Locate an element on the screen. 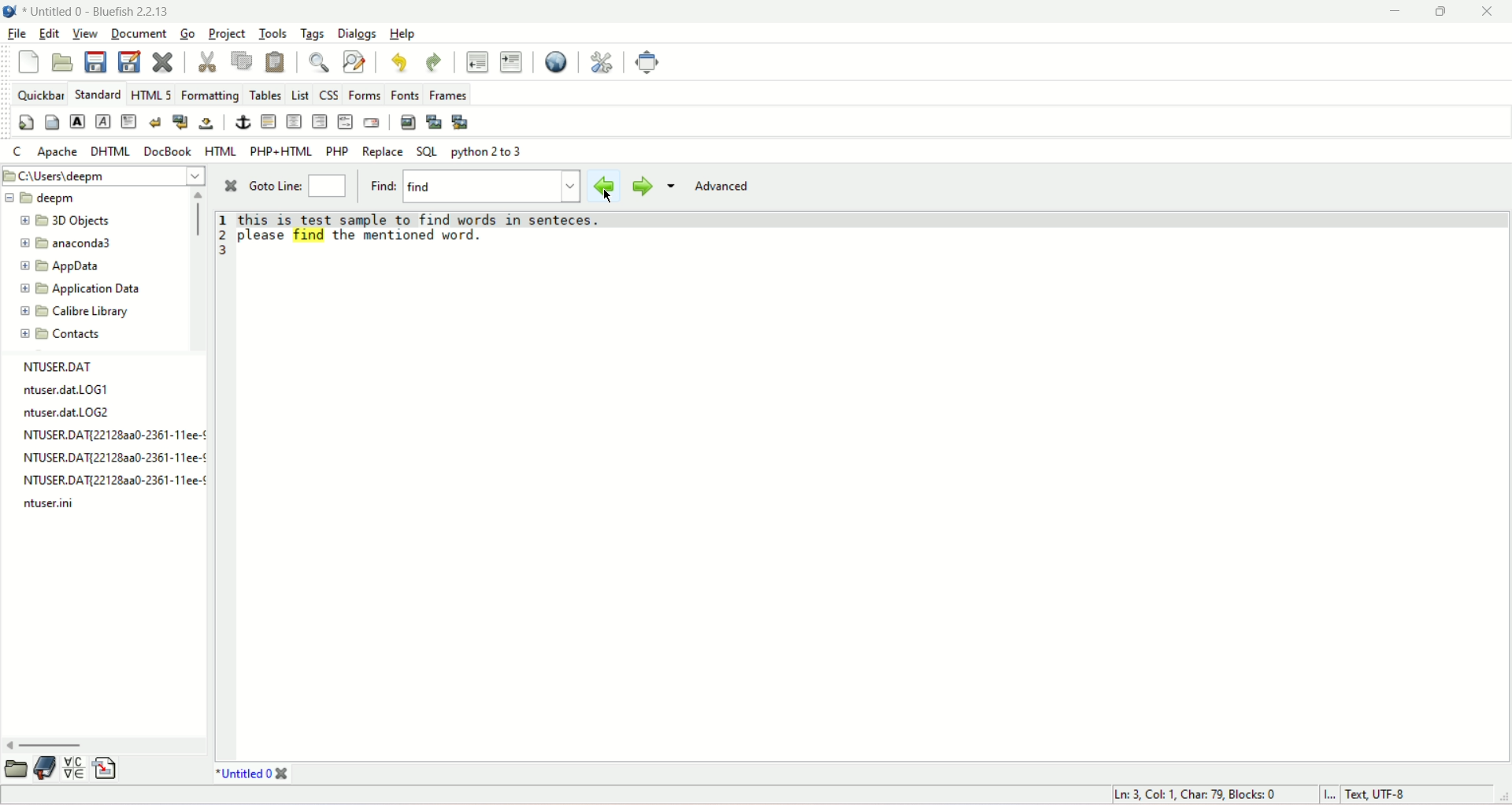 Image resolution: width=1512 pixels, height=805 pixels. insert thumbnail is located at coordinates (433, 122).